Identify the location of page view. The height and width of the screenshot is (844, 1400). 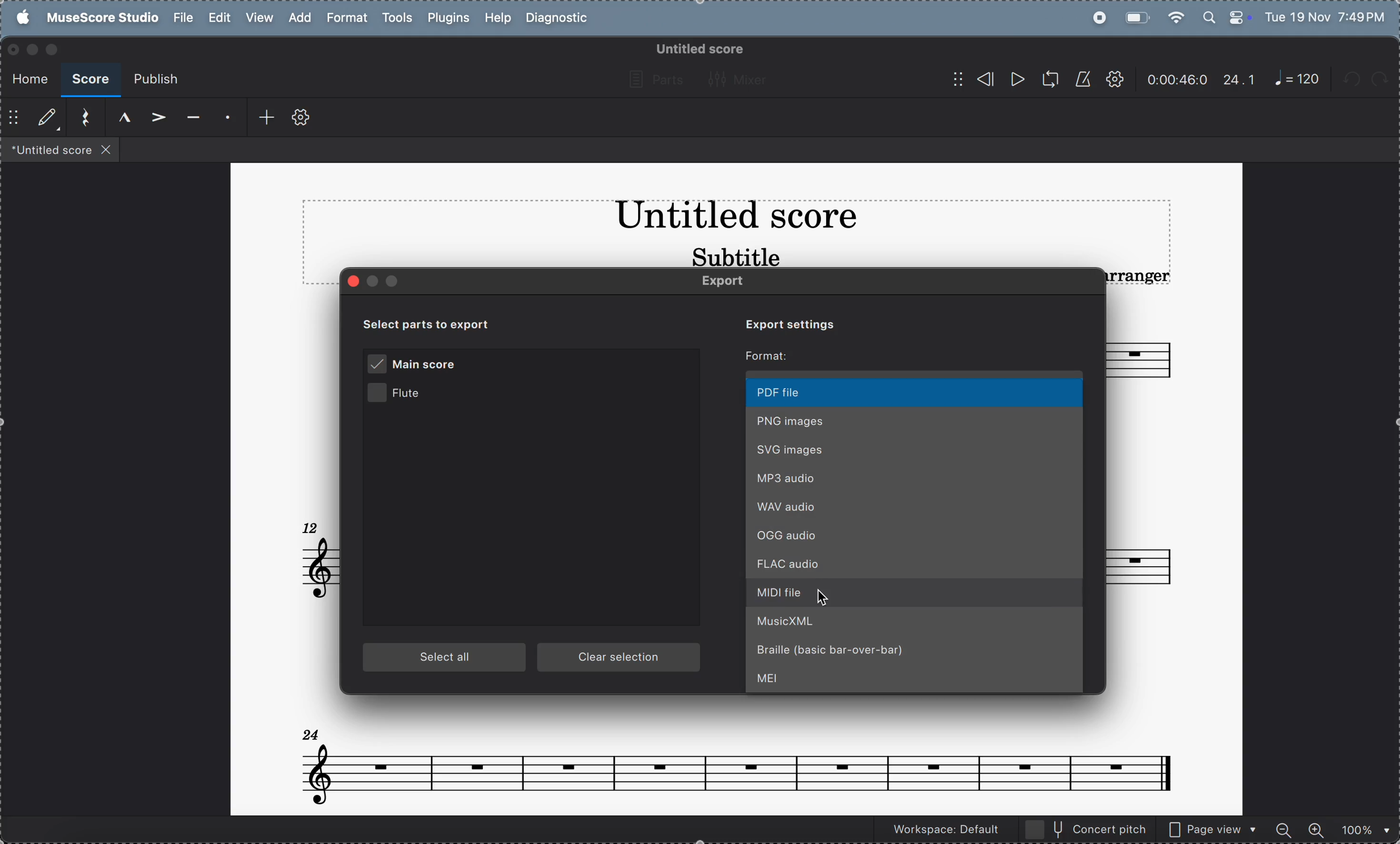
(1213, 828).